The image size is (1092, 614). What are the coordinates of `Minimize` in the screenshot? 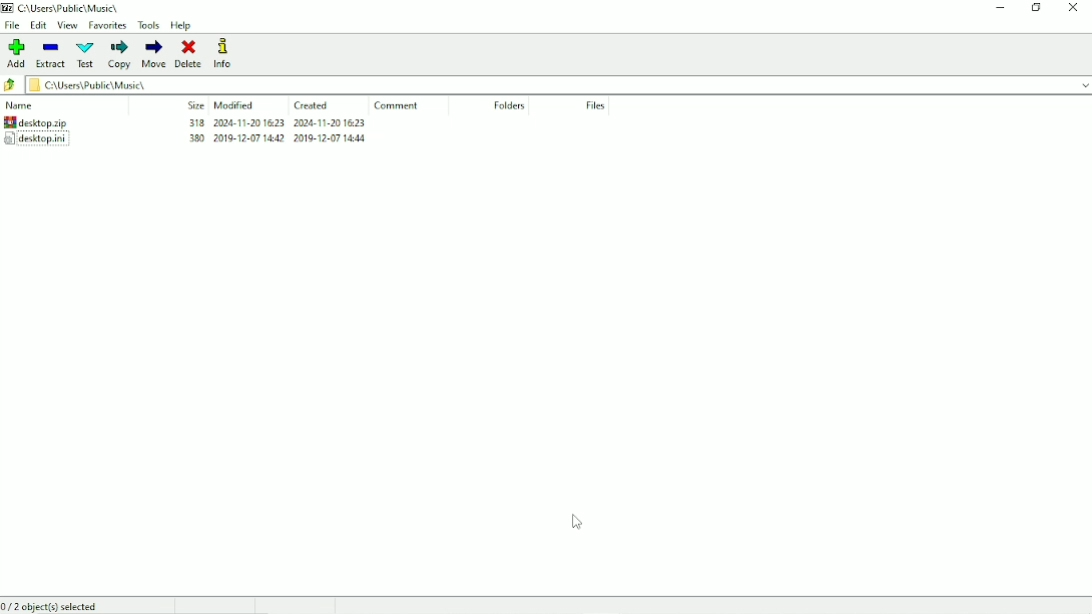 It's located at (1001, 8).